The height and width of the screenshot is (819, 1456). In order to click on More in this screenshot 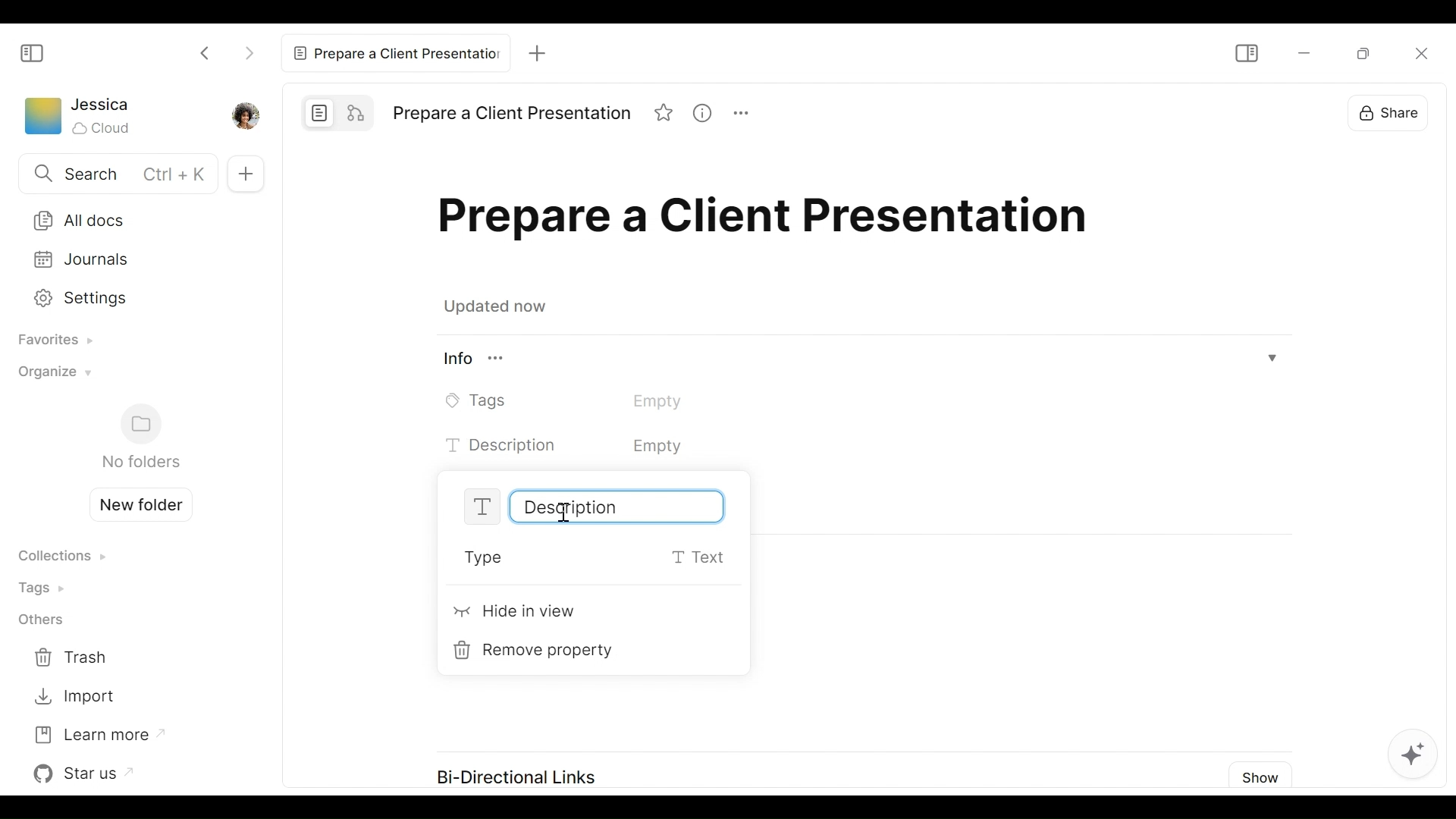, I will do `click(748, 115)`.